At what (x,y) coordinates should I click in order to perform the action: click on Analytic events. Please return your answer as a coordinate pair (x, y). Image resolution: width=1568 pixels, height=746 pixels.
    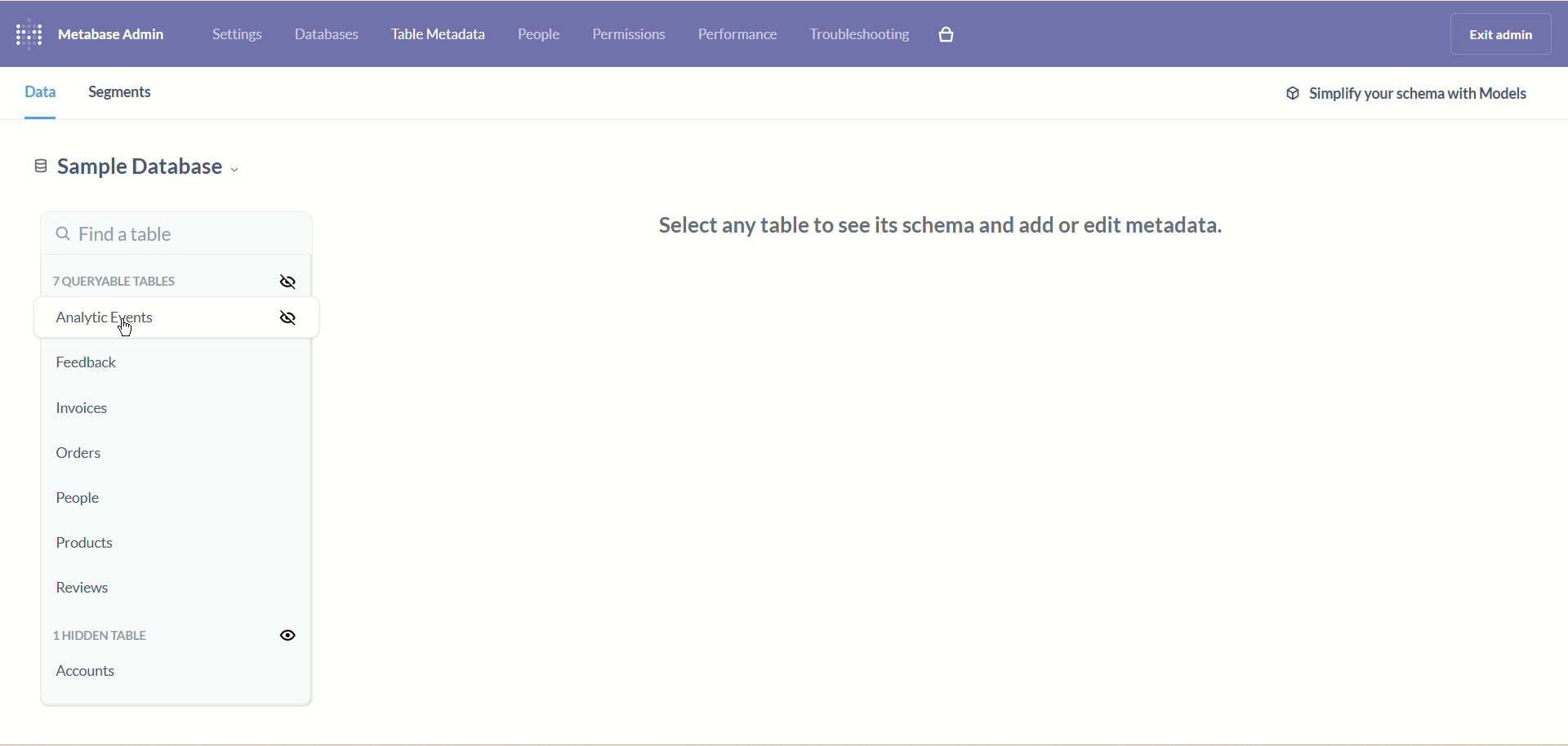
    Looking at the image, I should click on (110, 323).